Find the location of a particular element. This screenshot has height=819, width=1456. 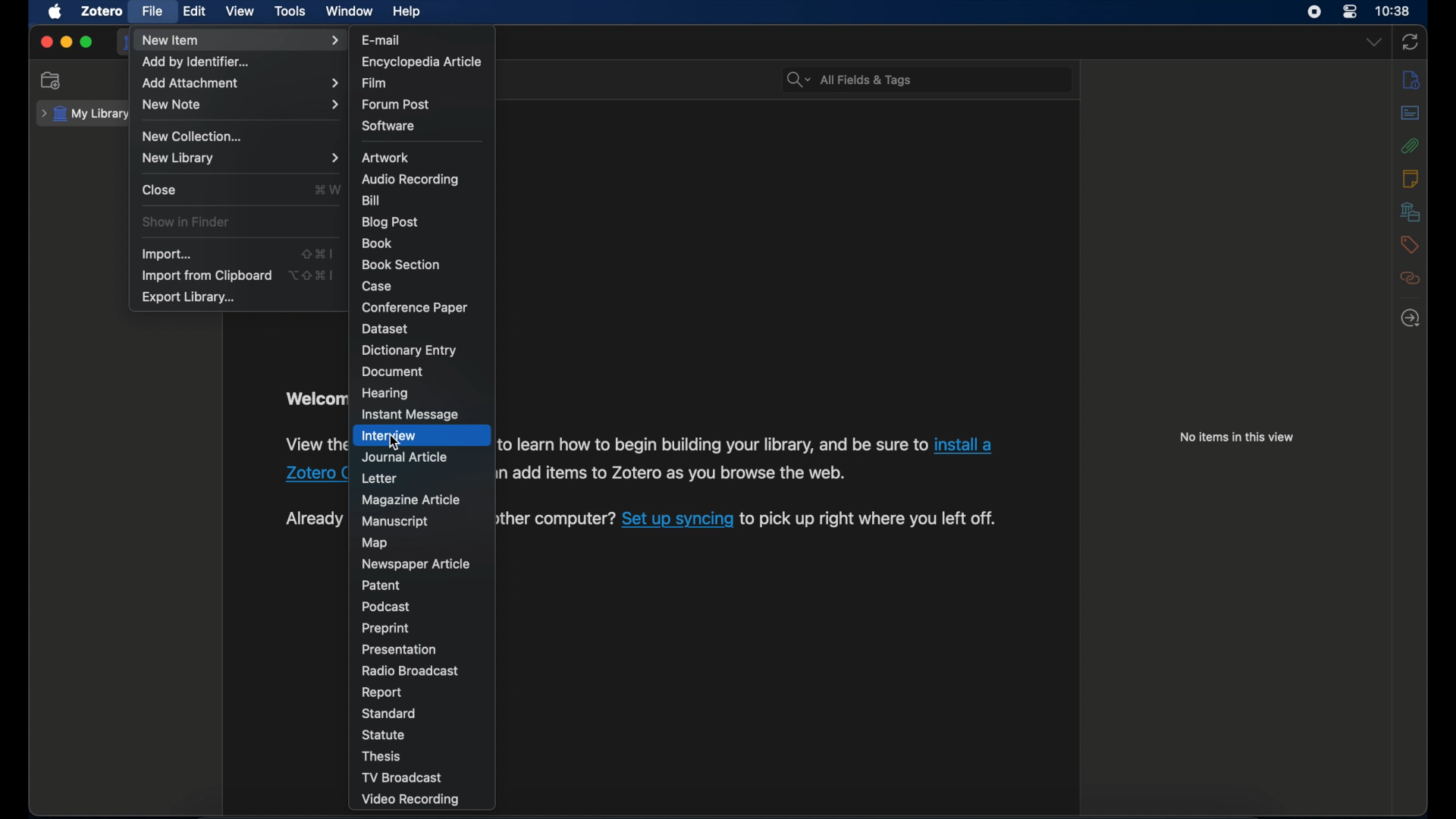

add attachment is located at coordinates (243, 83).